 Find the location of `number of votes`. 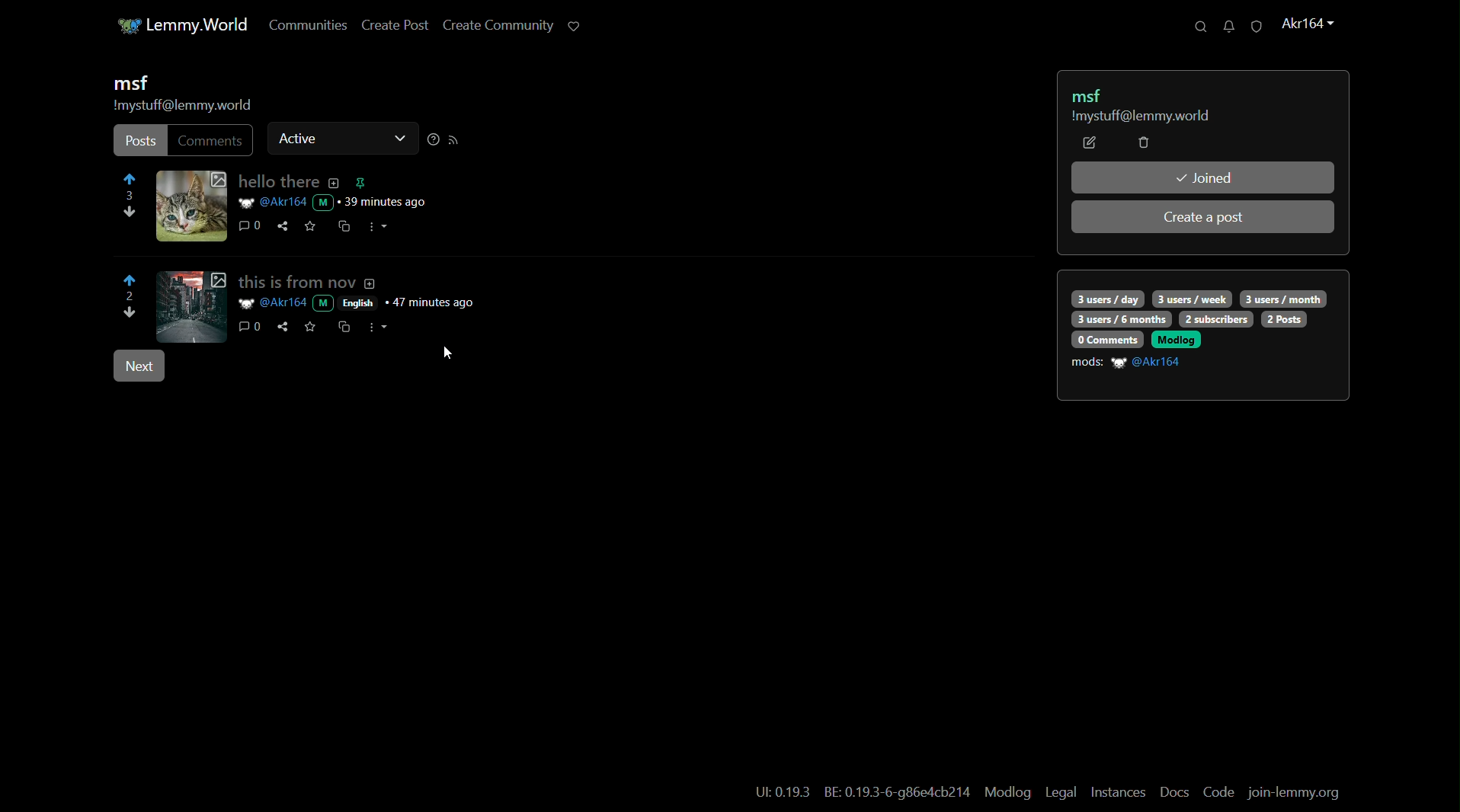

number of votes is located at coordinates (128, 297).